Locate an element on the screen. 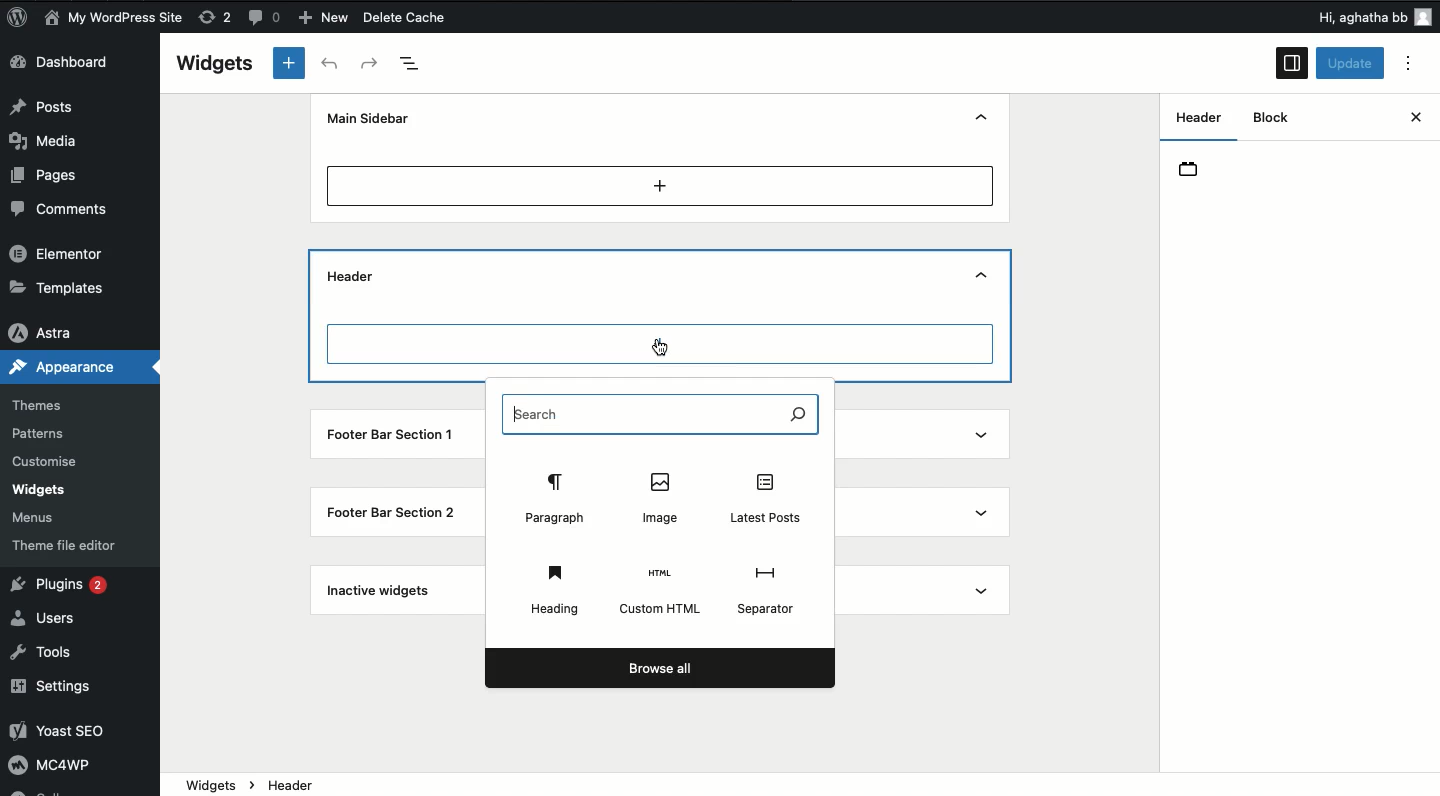 This screenshot has height=796, width=1440. Main sidebar is located at coordinates (373, 118).